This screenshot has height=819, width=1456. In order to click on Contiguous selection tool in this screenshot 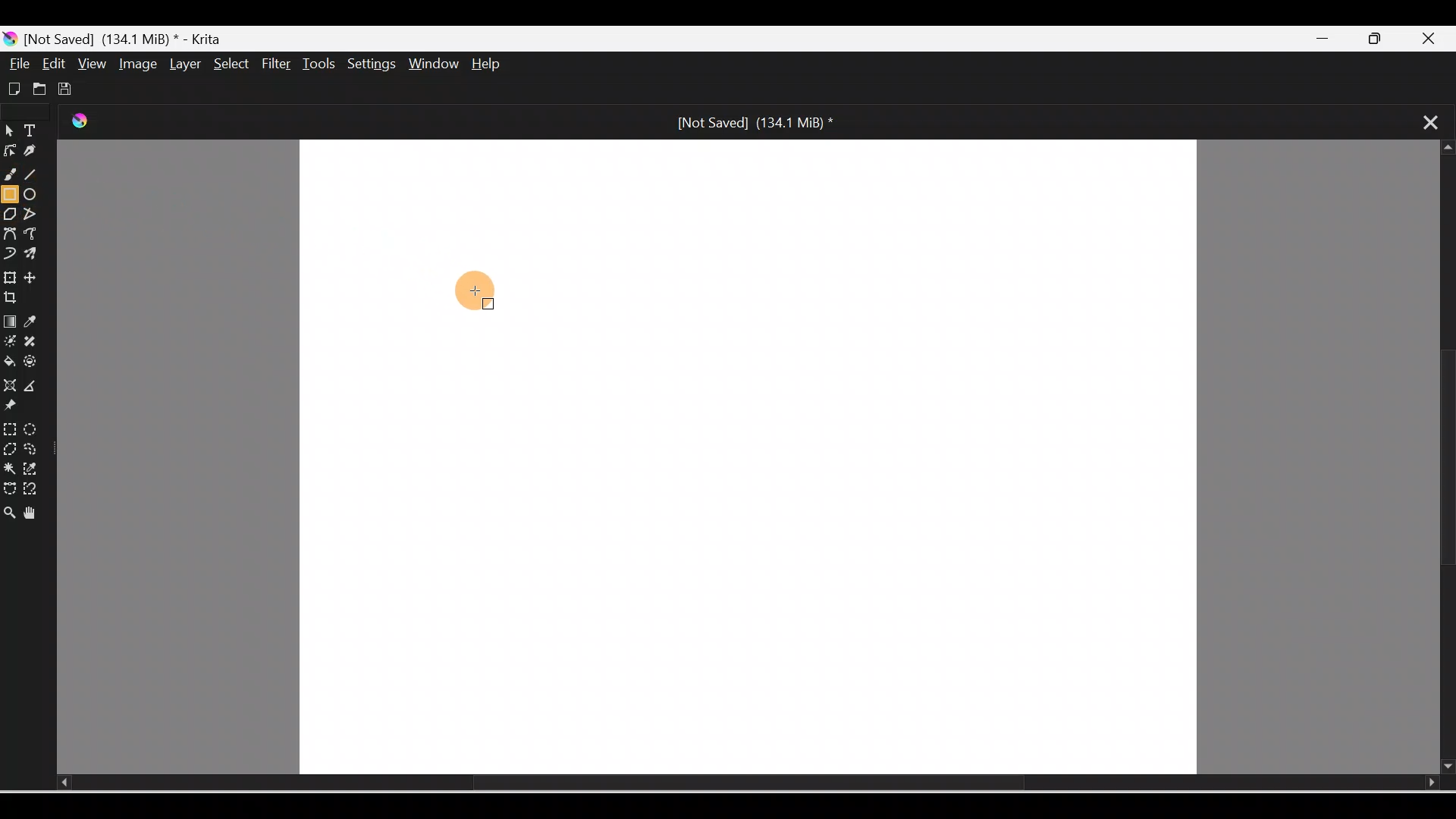, I will do `click(9, 467)`.